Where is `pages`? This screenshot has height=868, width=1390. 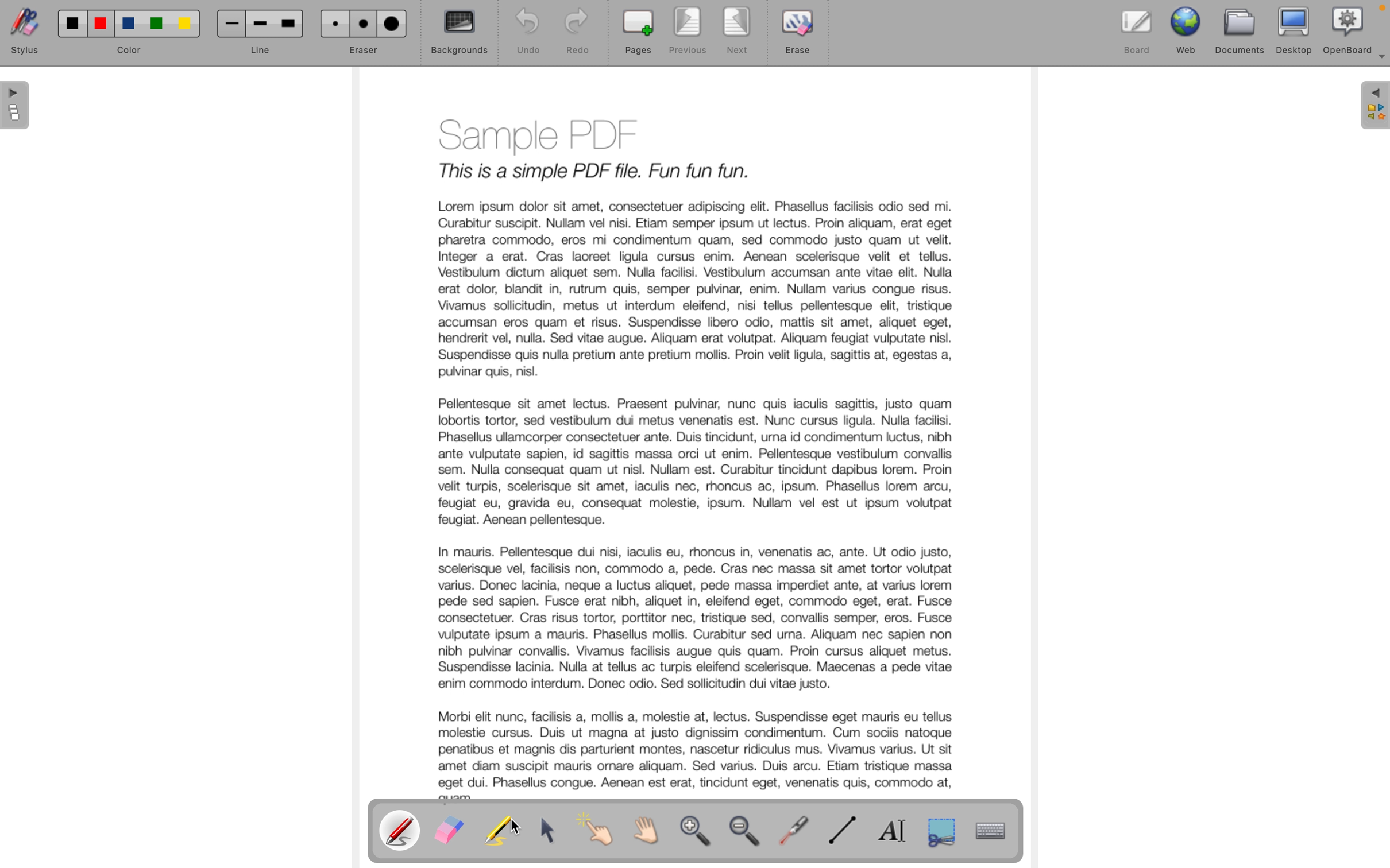
pages is located at coordinates (638, 33).